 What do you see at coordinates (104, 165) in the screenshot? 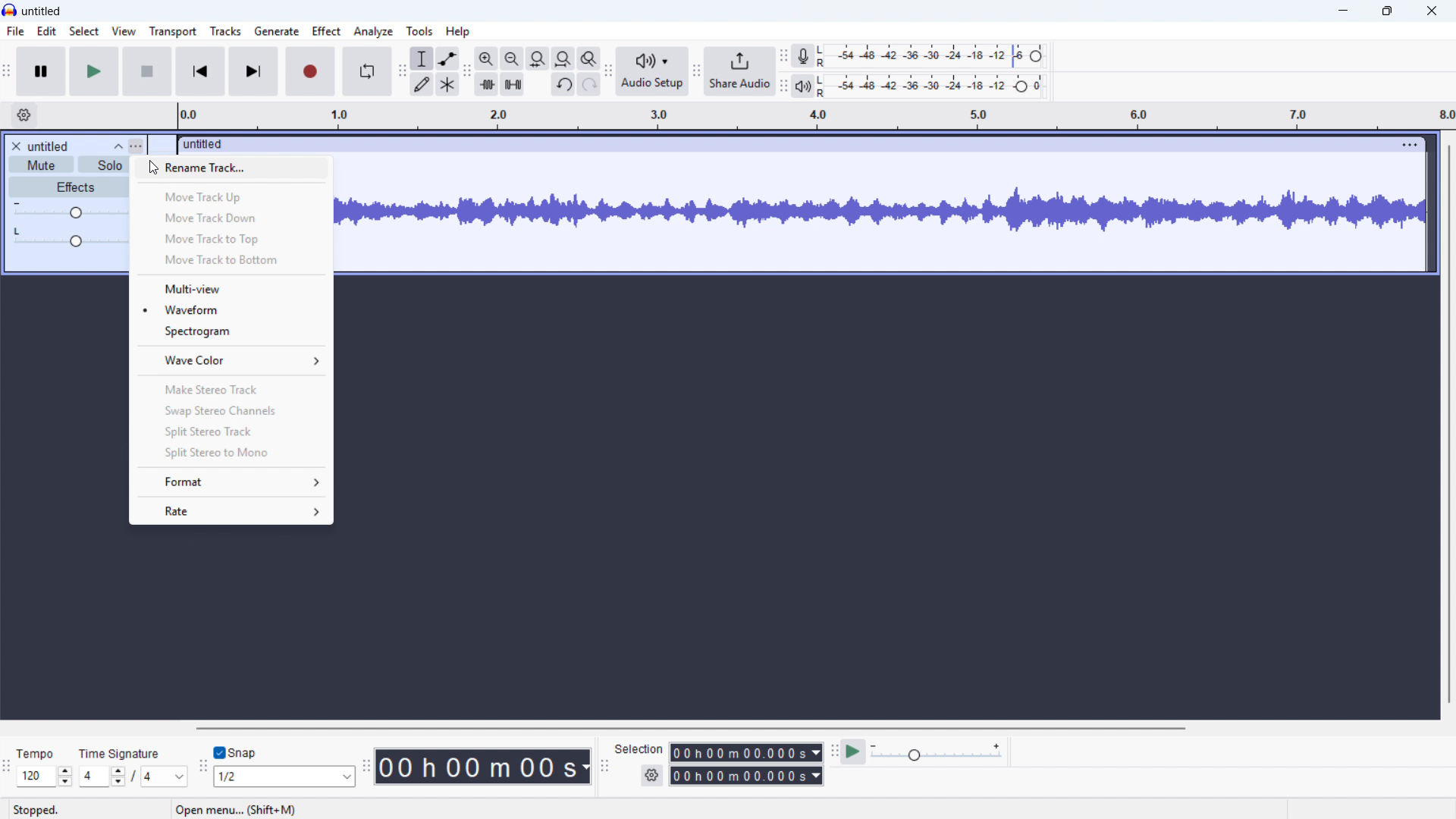
I see `solo ` at bounding box center [104, 165].